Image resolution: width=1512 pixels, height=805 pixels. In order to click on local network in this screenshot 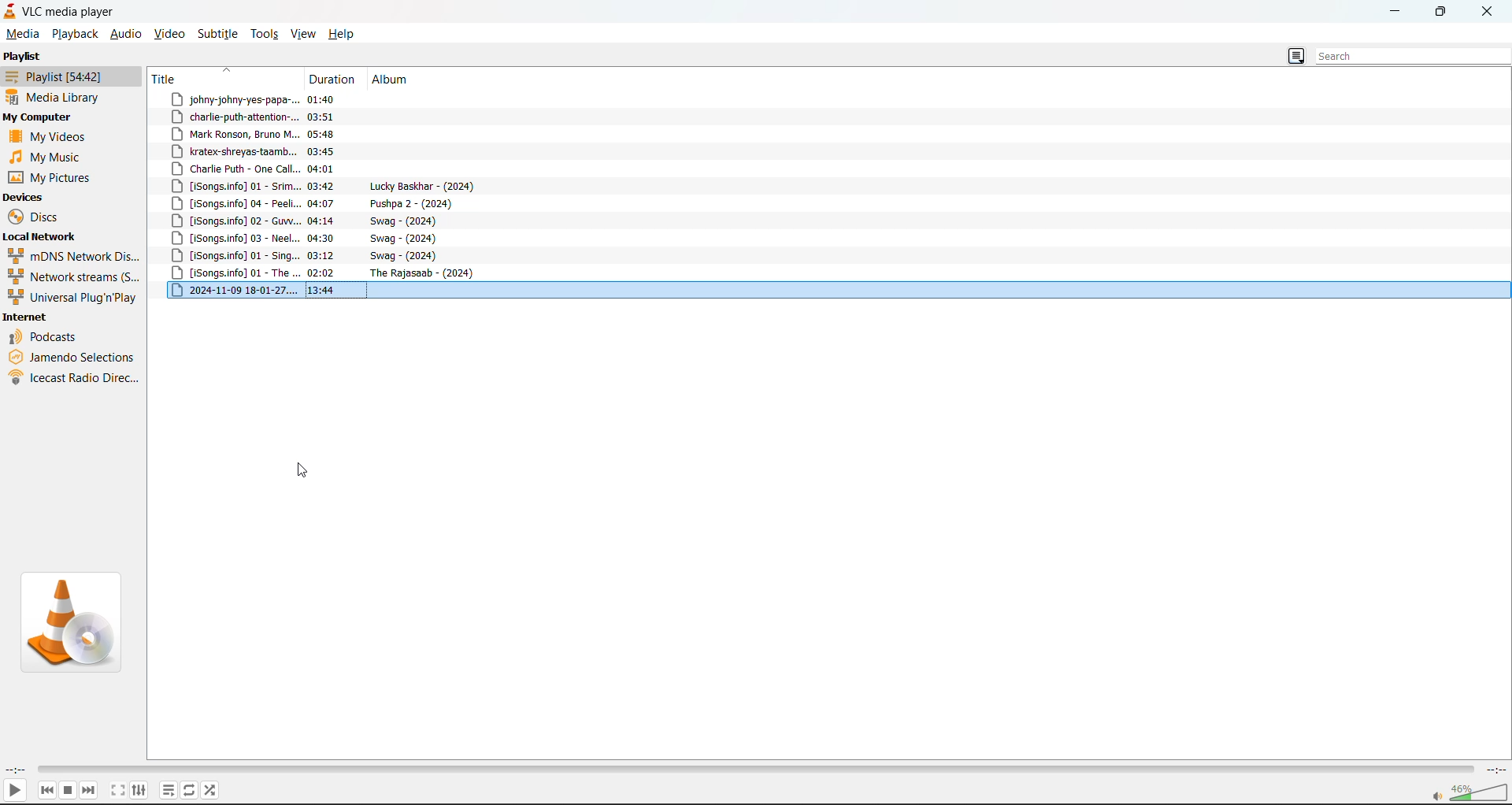, I will do `click(42, 236)`.